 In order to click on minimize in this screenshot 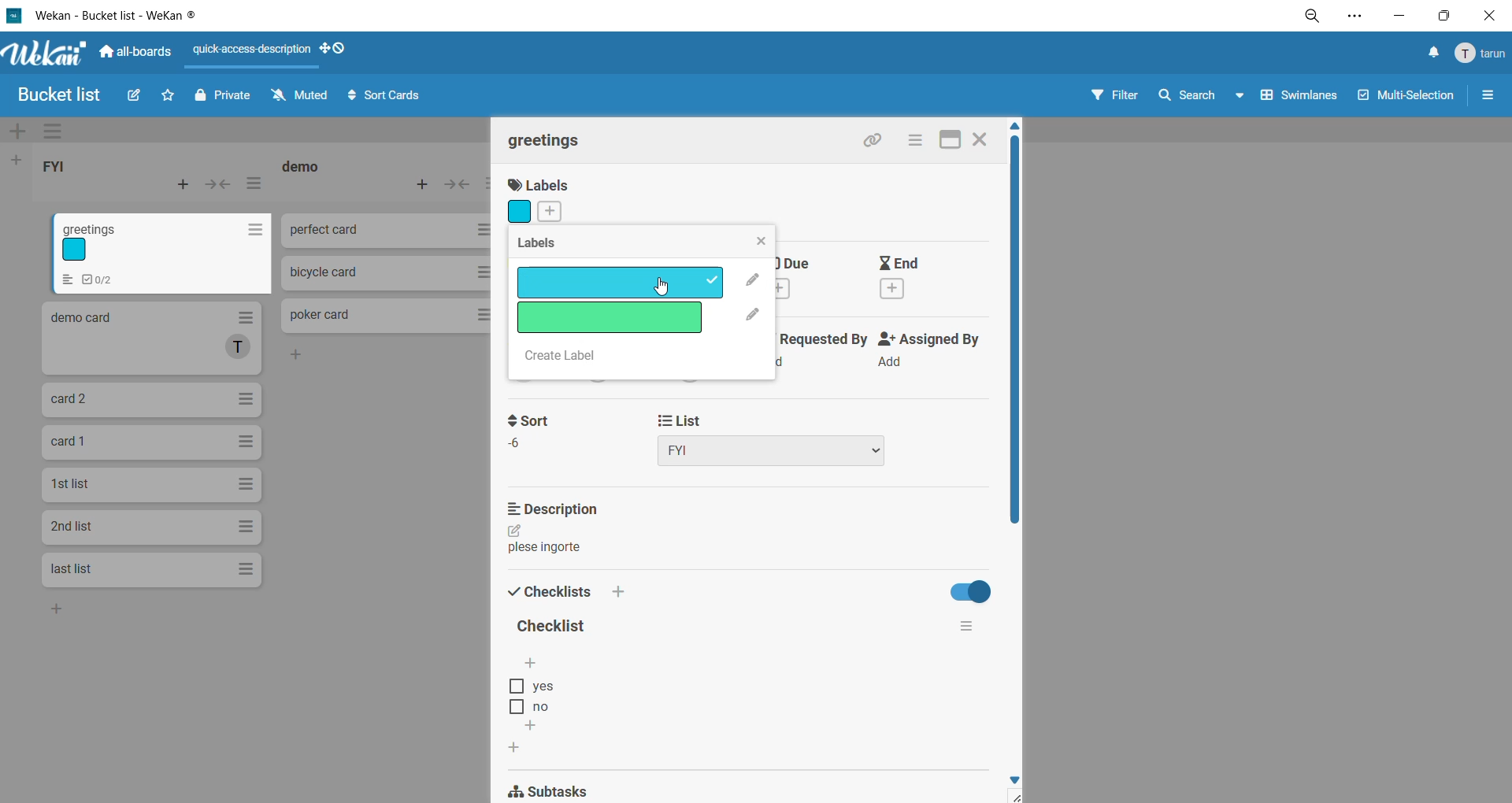, I will do `click(1406, 17)`.